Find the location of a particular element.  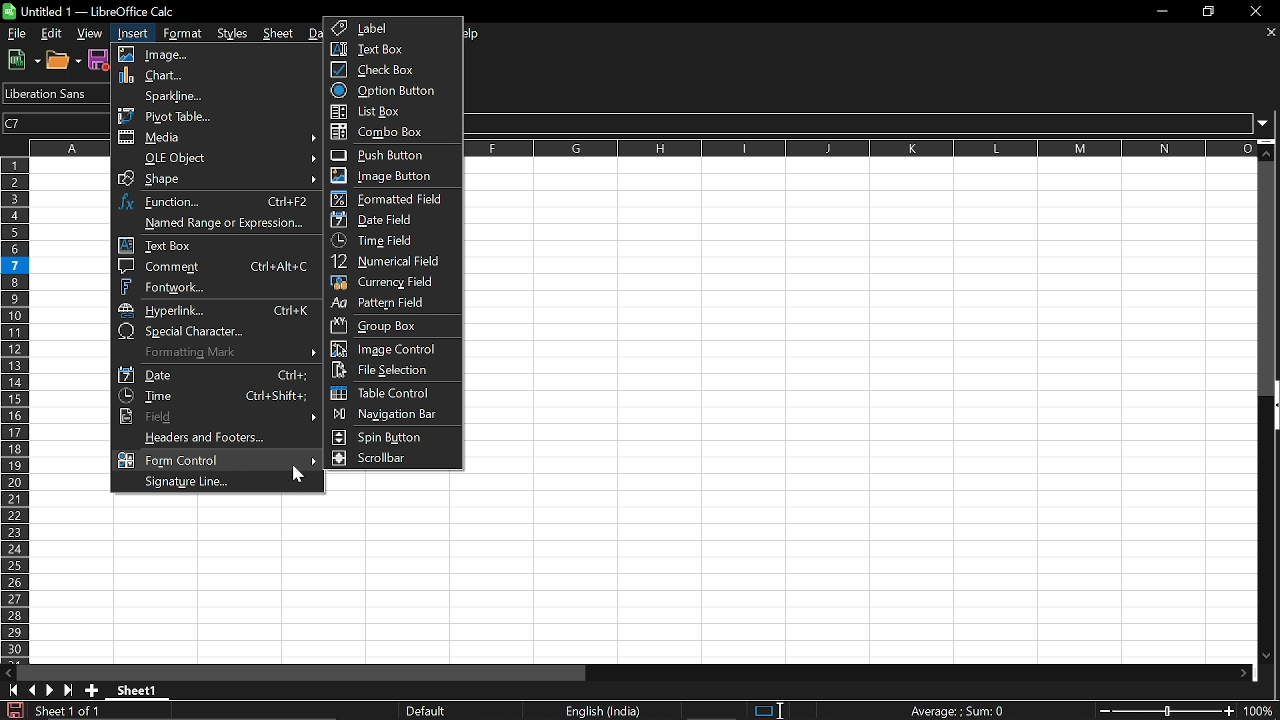

Pivot table is located at coordinates (212, 115).